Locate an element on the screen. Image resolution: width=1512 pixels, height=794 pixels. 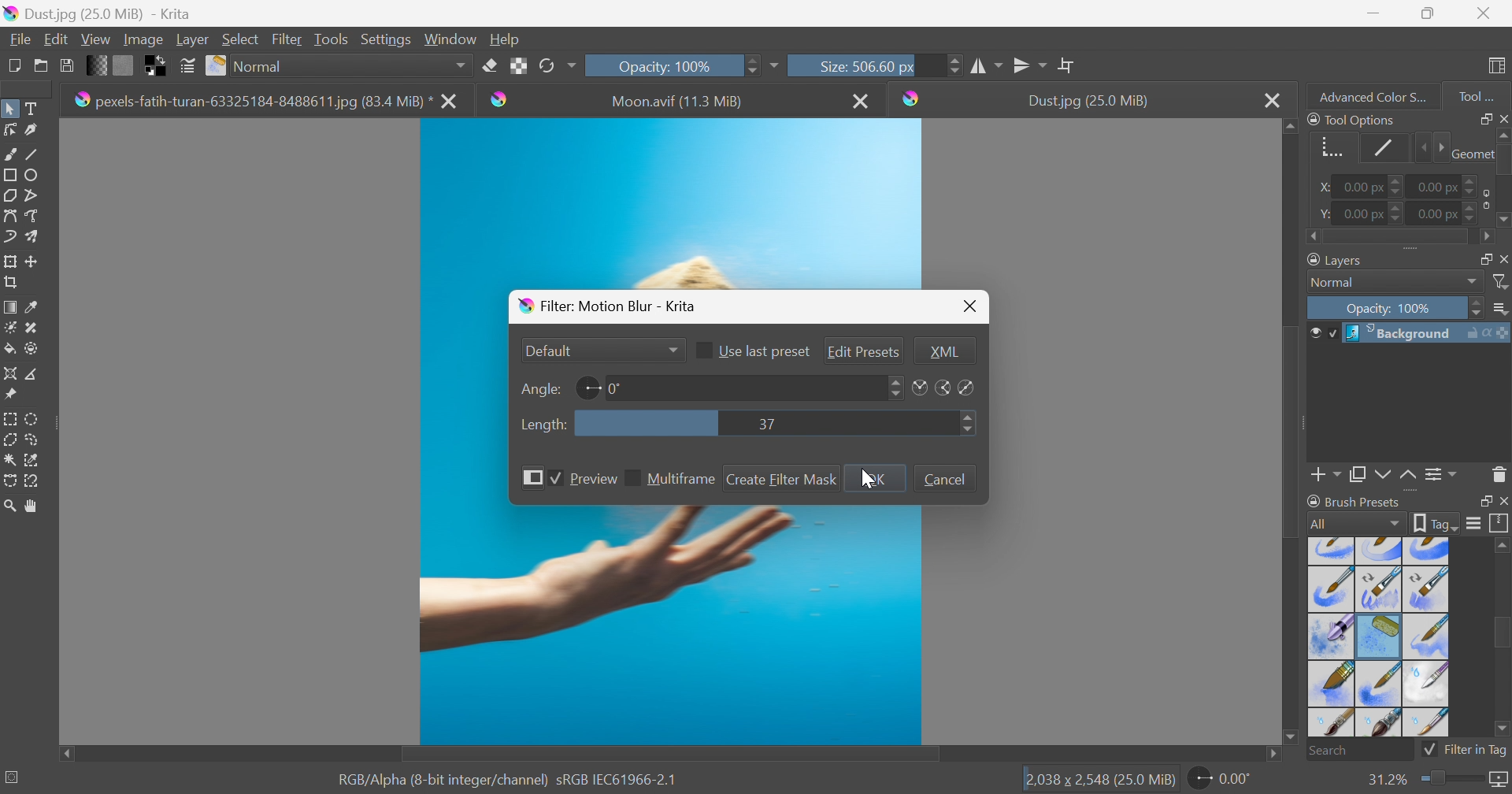
37 is located at coordinates (766, 424).